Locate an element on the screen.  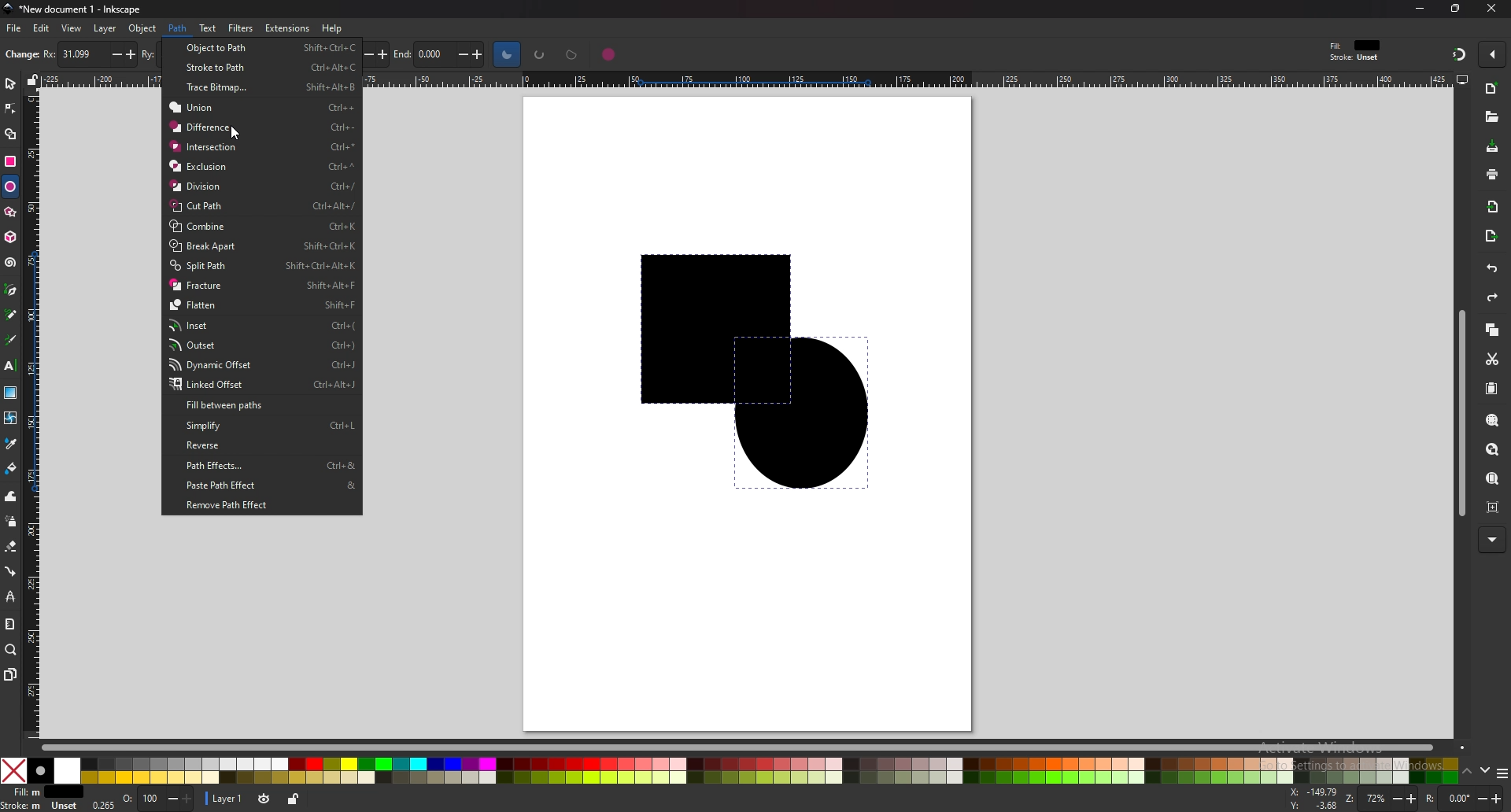
lpe is located at coordinates (11, 596).